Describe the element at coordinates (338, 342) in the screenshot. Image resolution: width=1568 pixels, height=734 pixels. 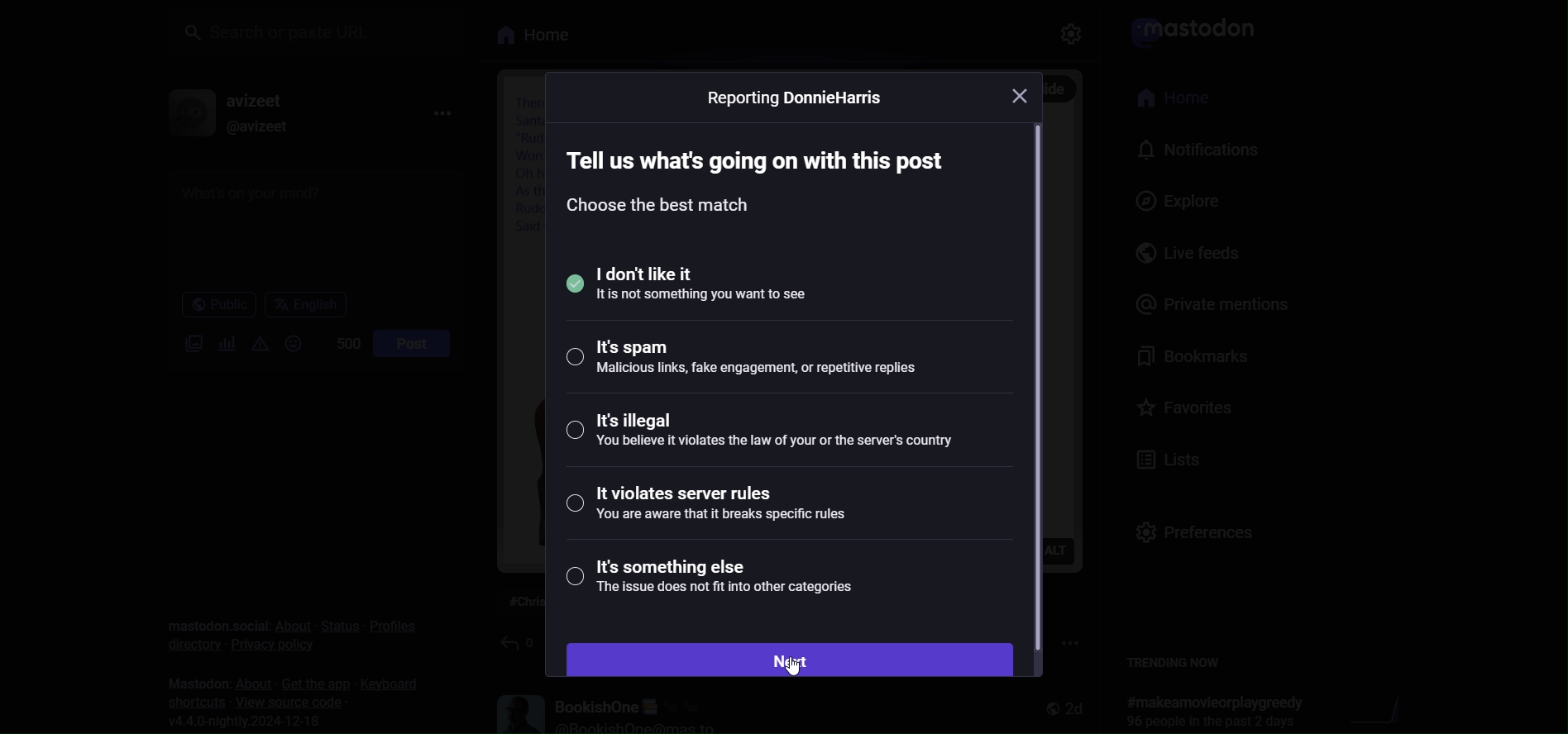
I see `500` at that location.